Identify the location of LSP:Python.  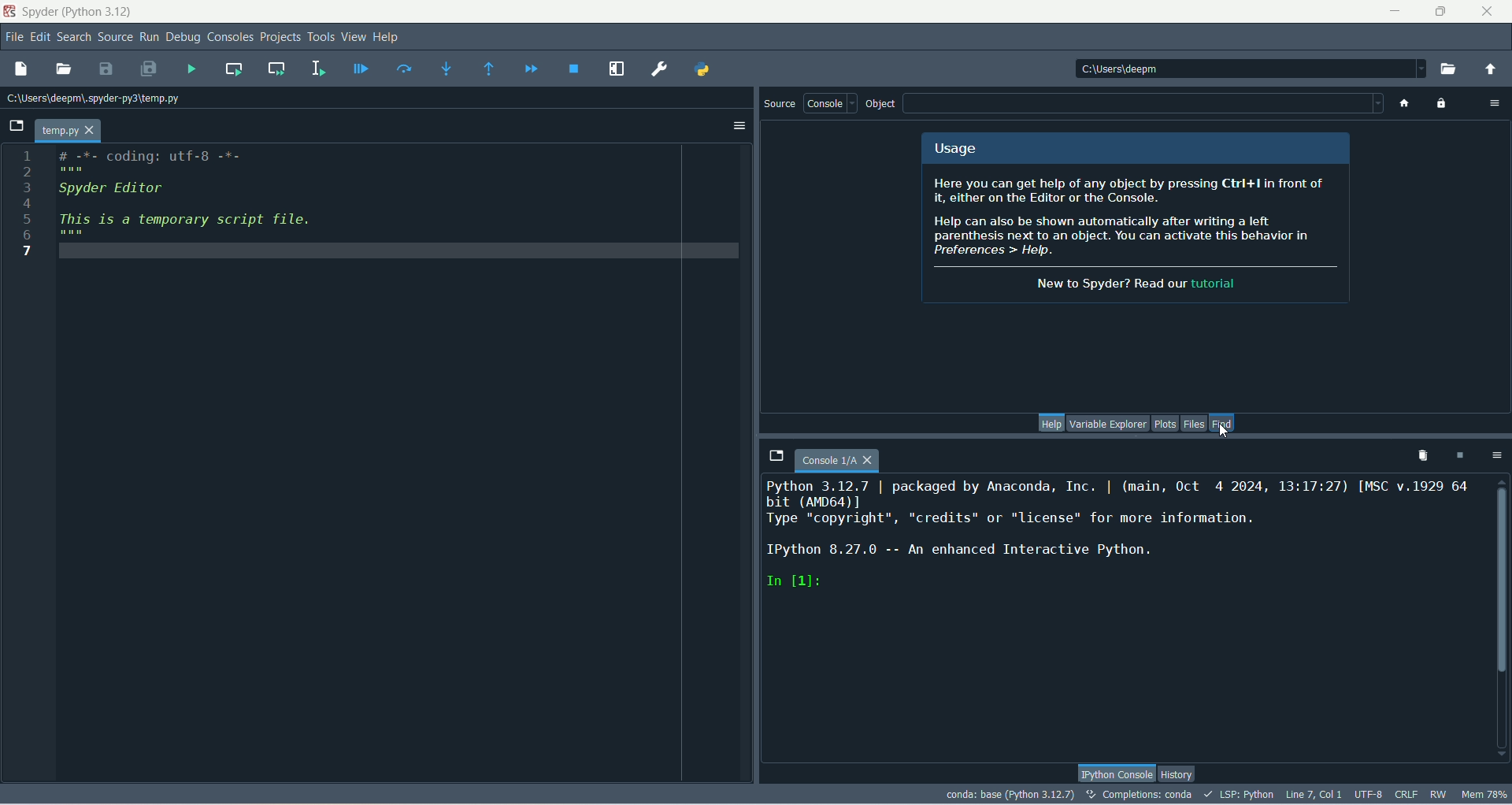
(1238, 795).